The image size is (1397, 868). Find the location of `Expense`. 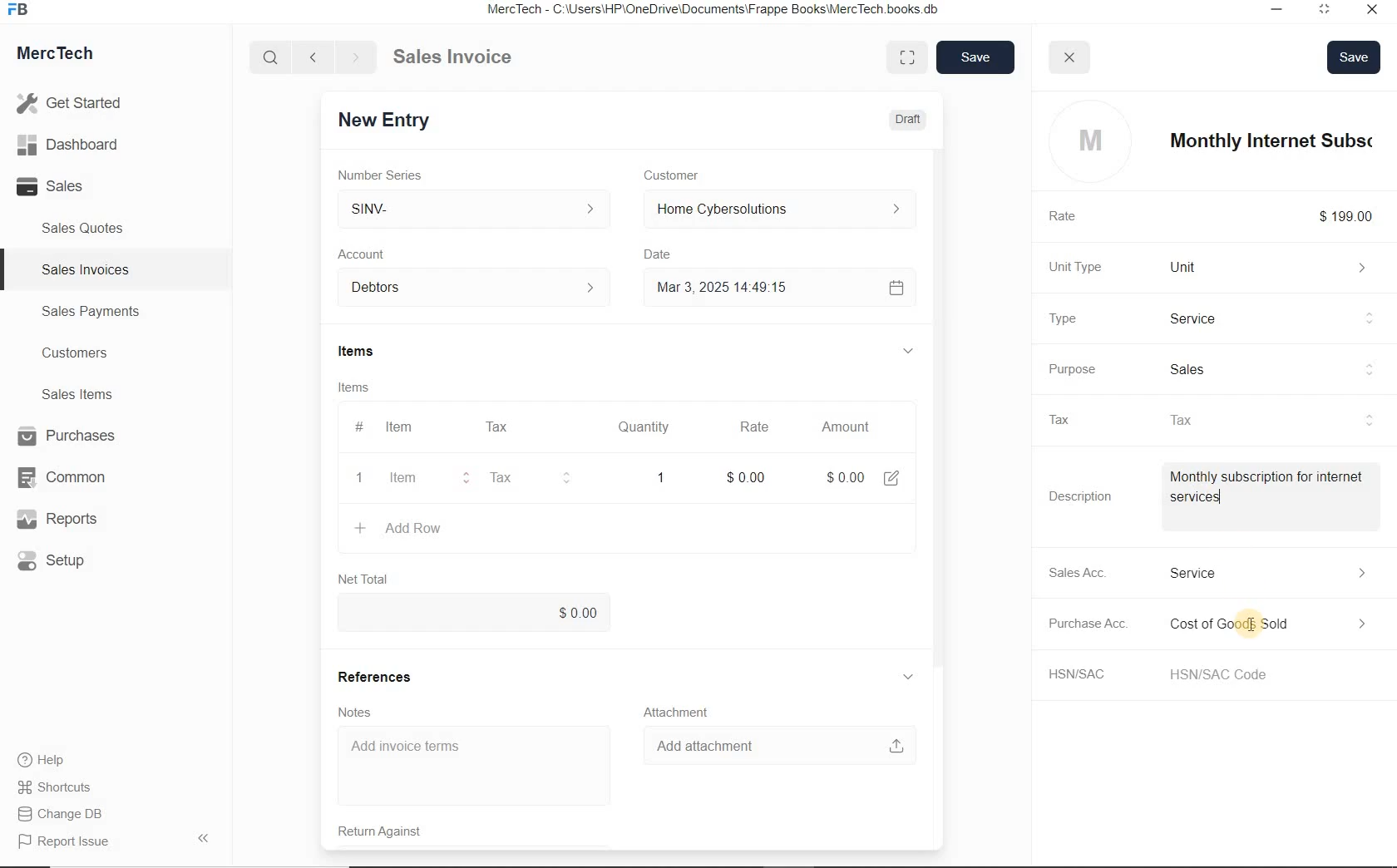

Expense is located at coordinates (1266, 624).